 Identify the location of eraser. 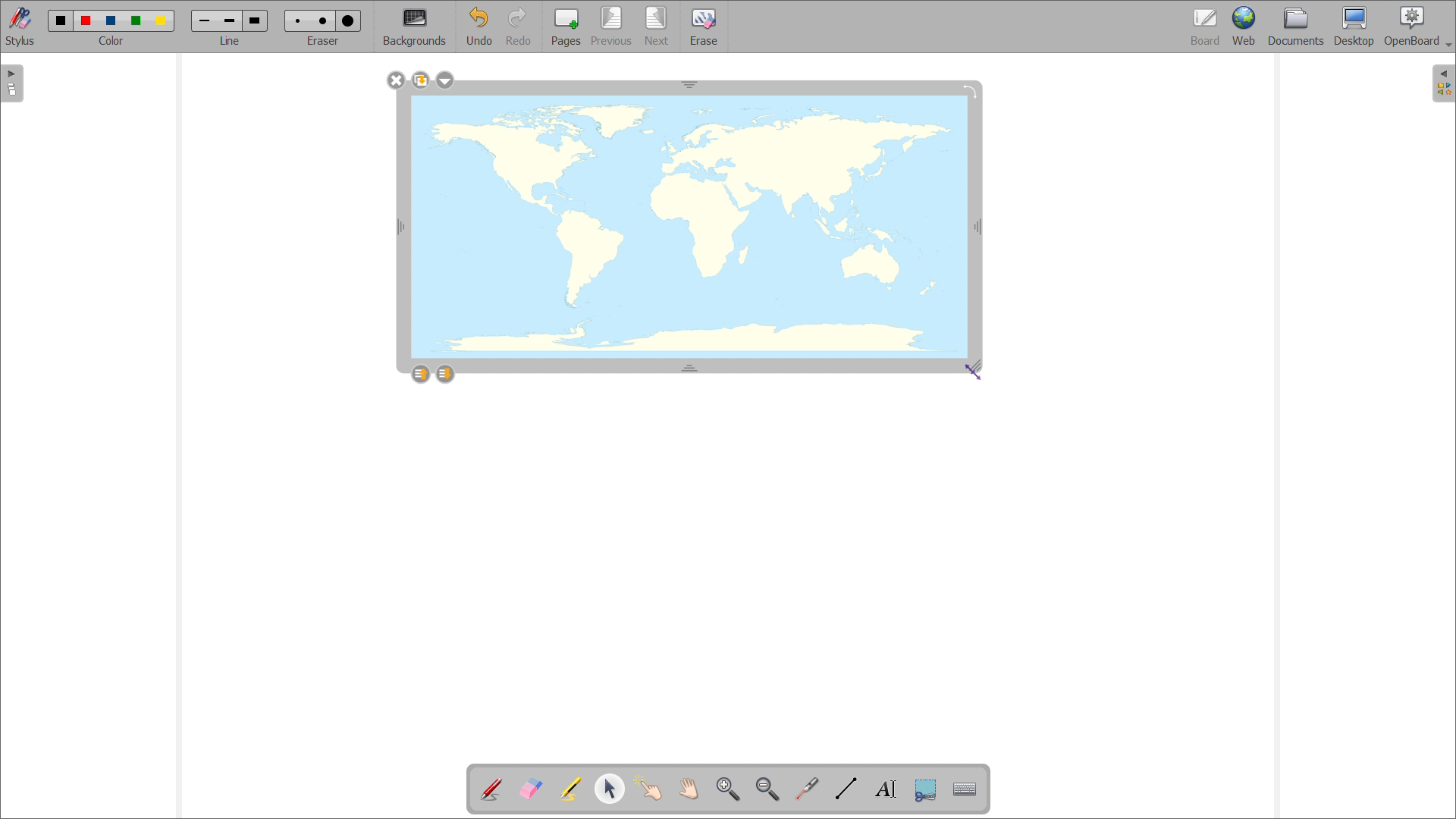
(322, 42).